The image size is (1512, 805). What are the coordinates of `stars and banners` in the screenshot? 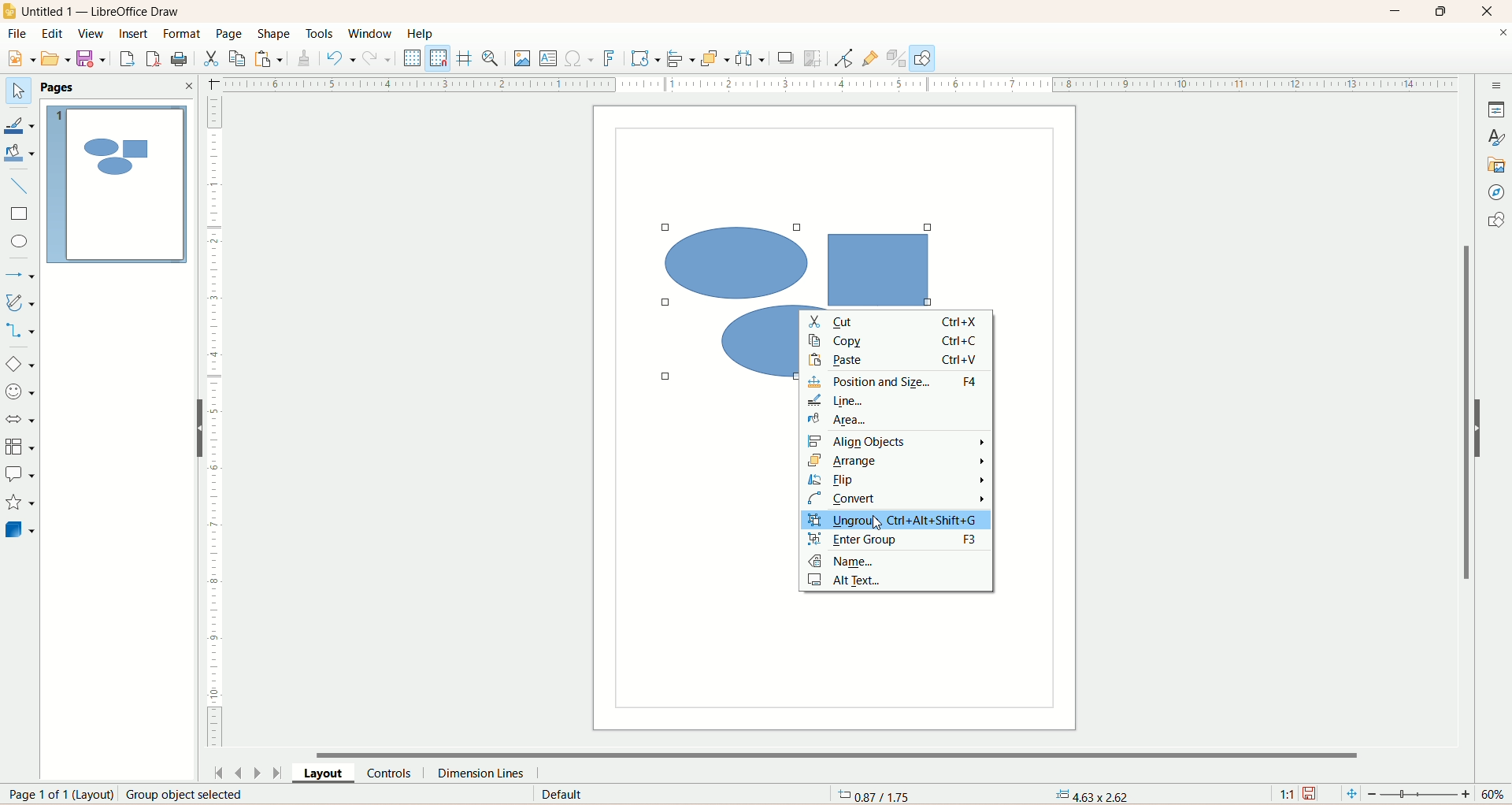 It's located at (19, 503).